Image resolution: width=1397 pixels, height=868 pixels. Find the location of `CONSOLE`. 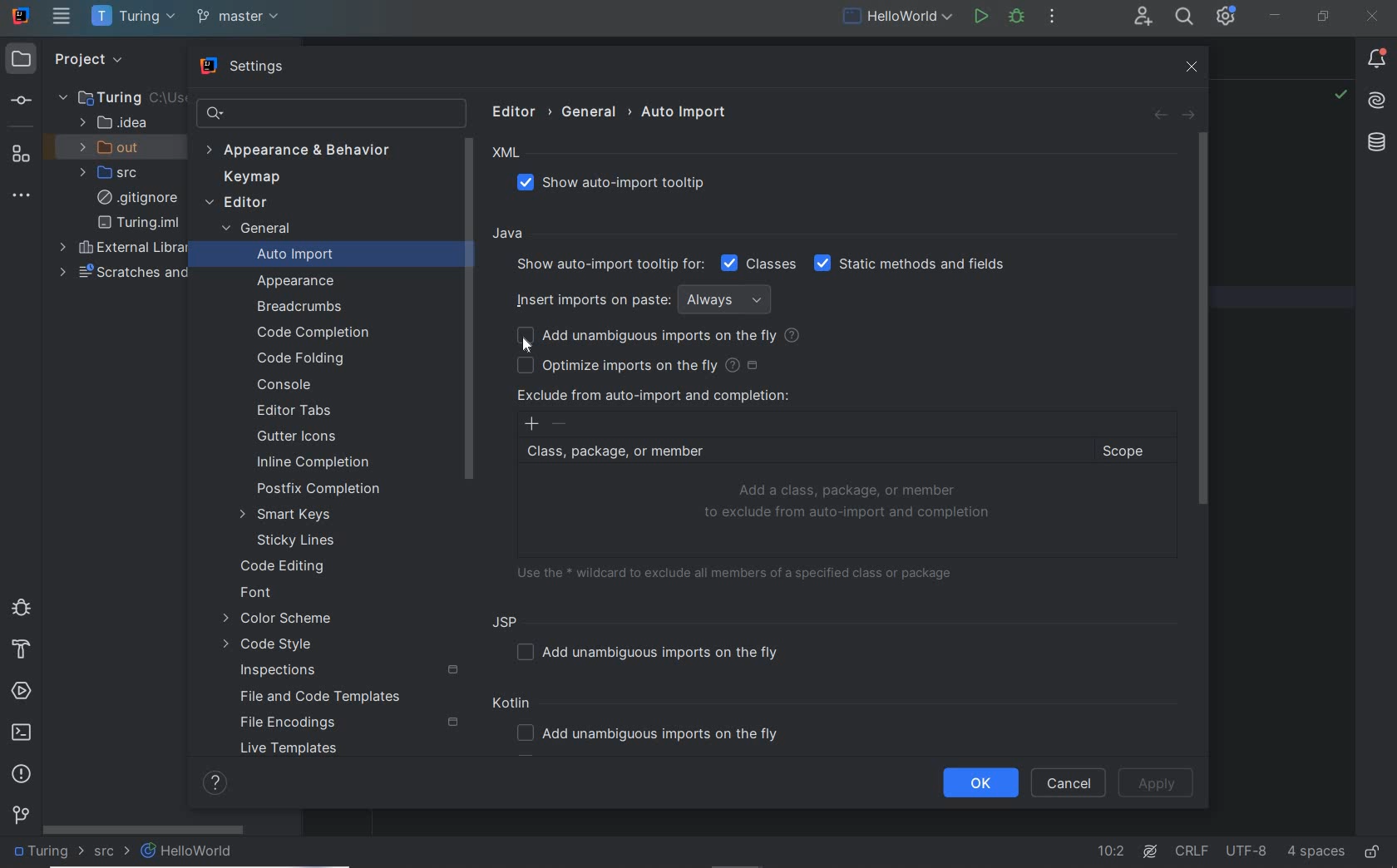

CONSOLE is located at coordinates (284, 384).